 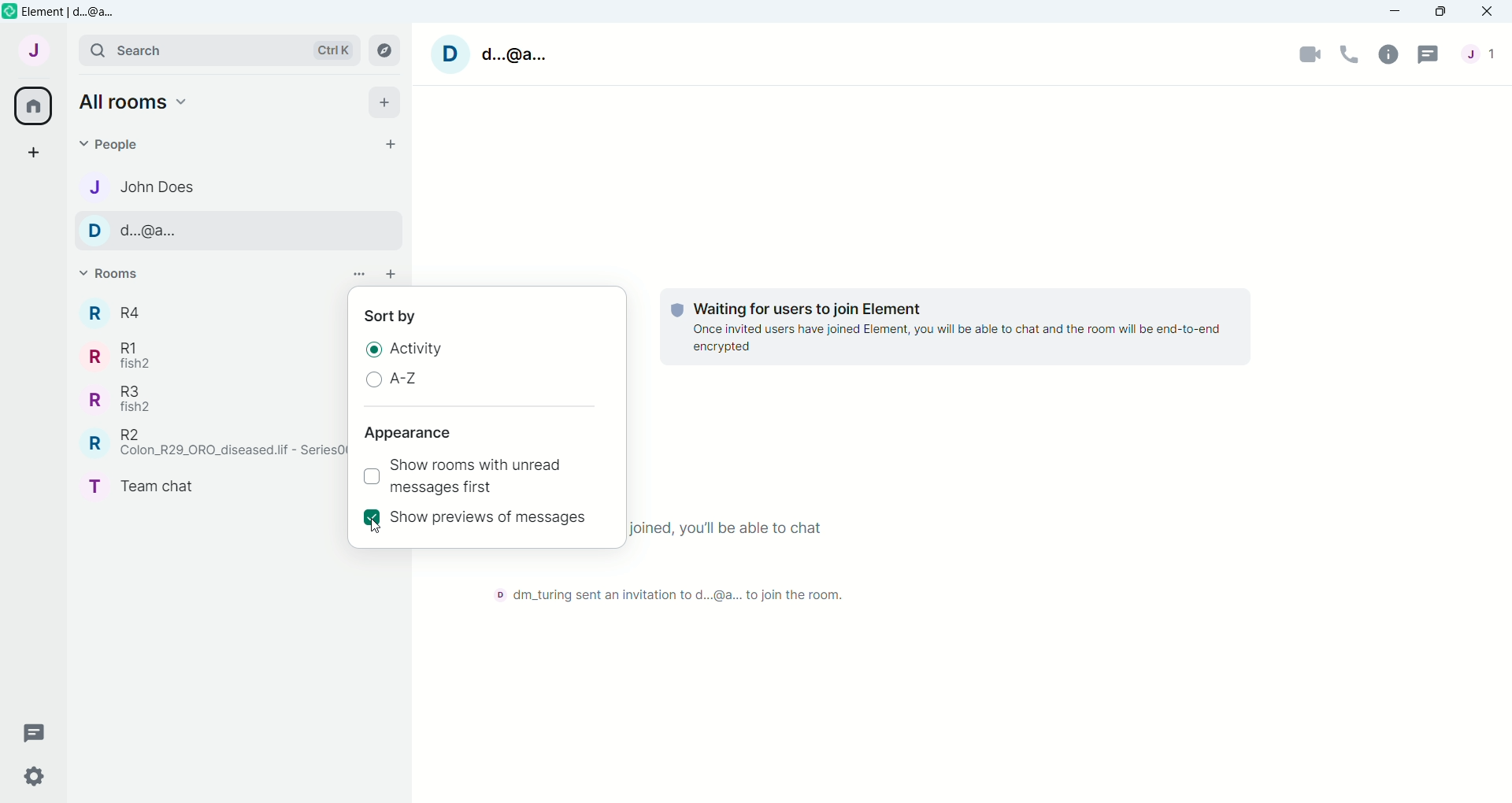 I want to click on Selected Radio Button, so click(x=375, y=348).